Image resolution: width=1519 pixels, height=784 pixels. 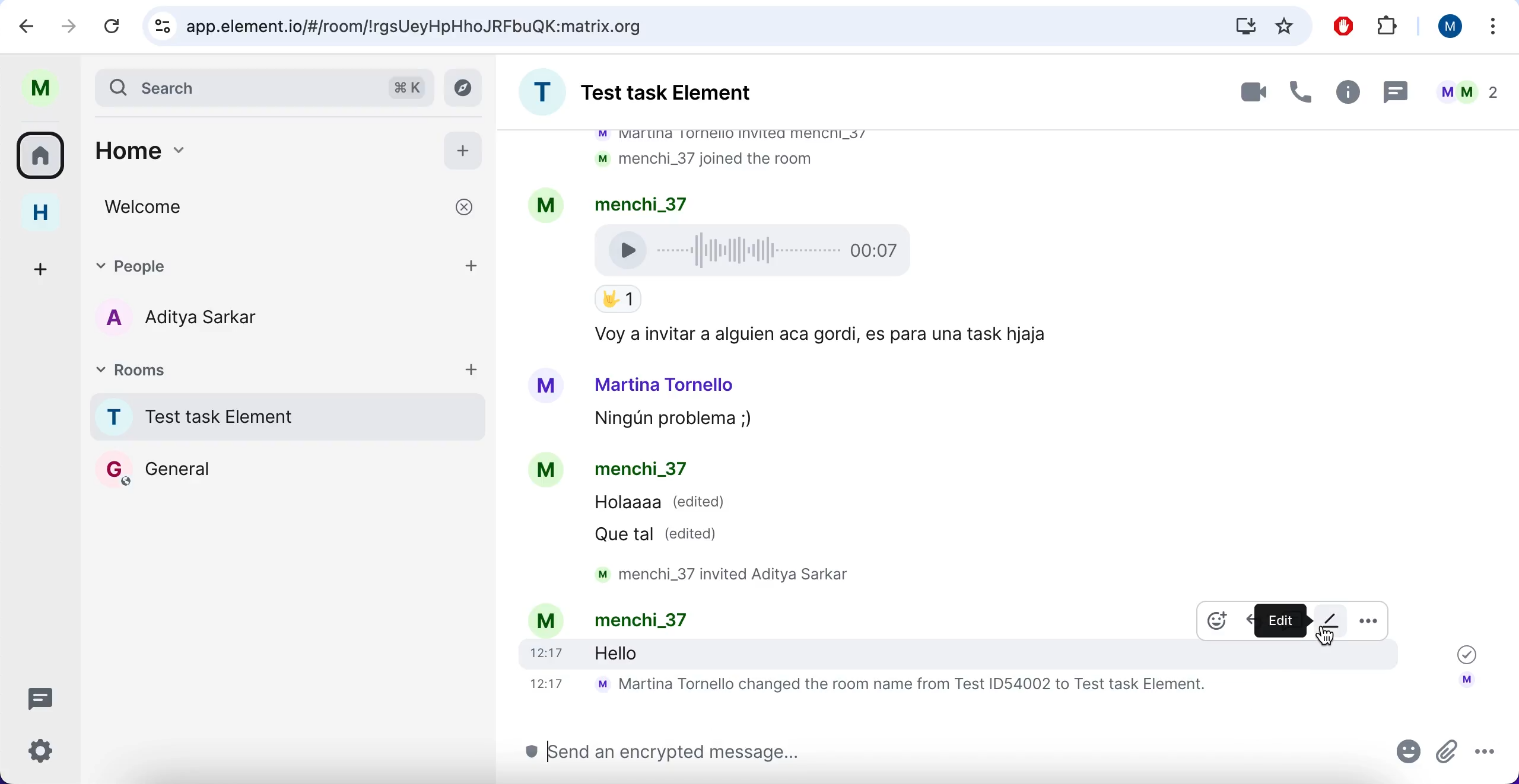 What do you see at coordinates (253, 146) in the screenshot?
I see `home` at bounding box center [253, 146].